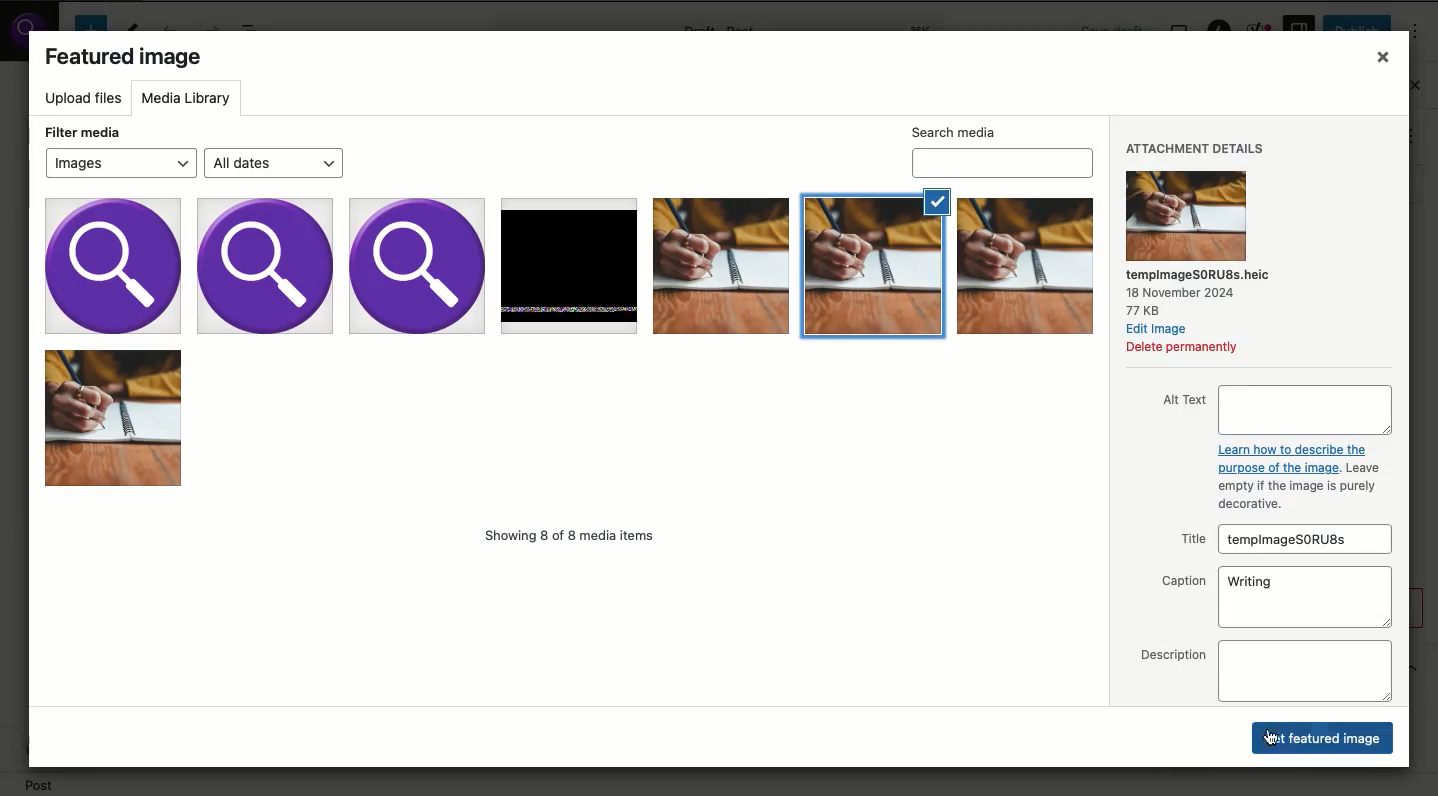 Image resolution: width=1438 pixels, height=796 pixels. Describe the element at coordinates (1199, 273) in the screenshot. I see `name` at that location.